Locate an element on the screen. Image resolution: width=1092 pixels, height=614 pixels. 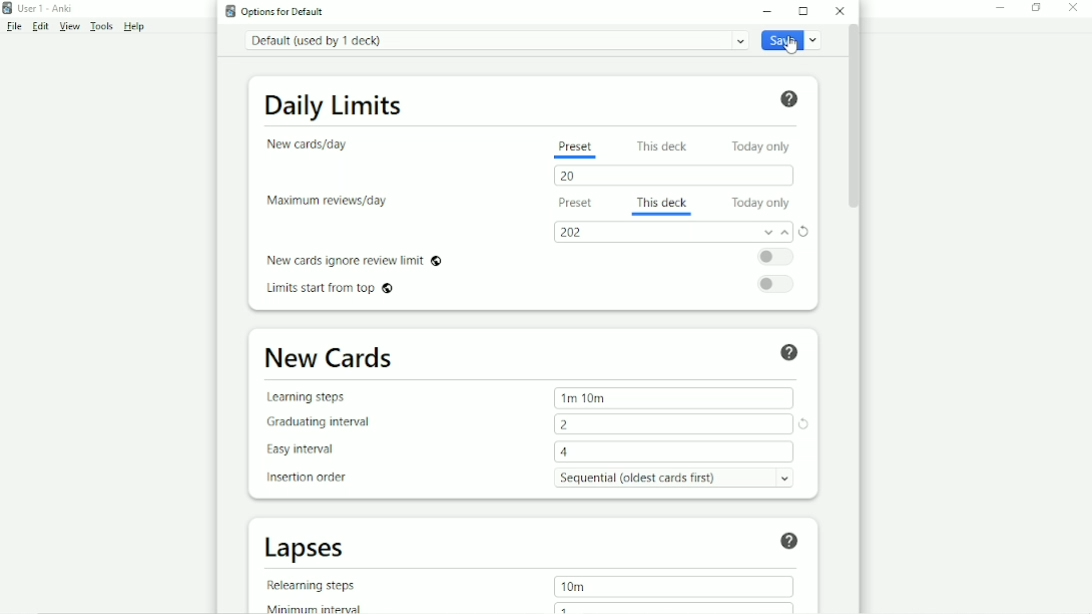
Daily Limits is located at coordinates (334, 103).